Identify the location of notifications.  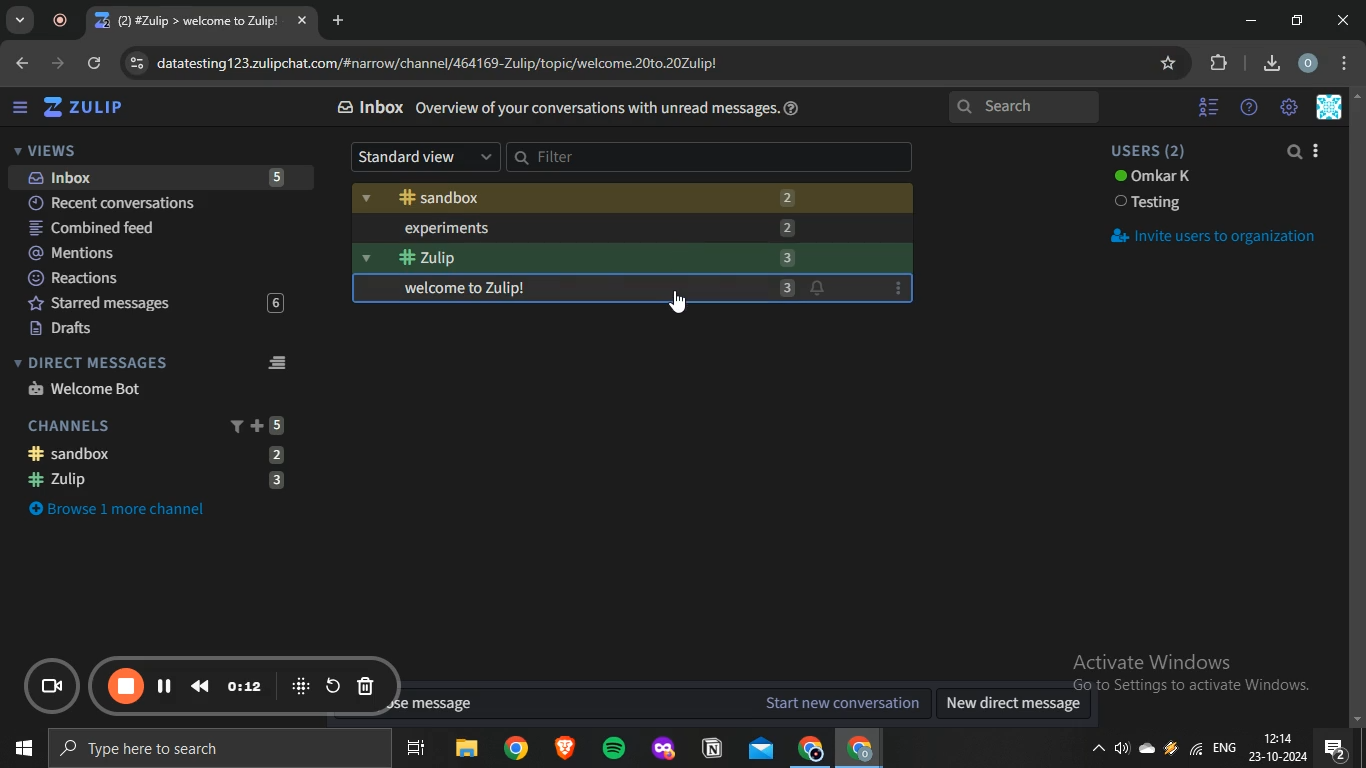
(1335, 749).